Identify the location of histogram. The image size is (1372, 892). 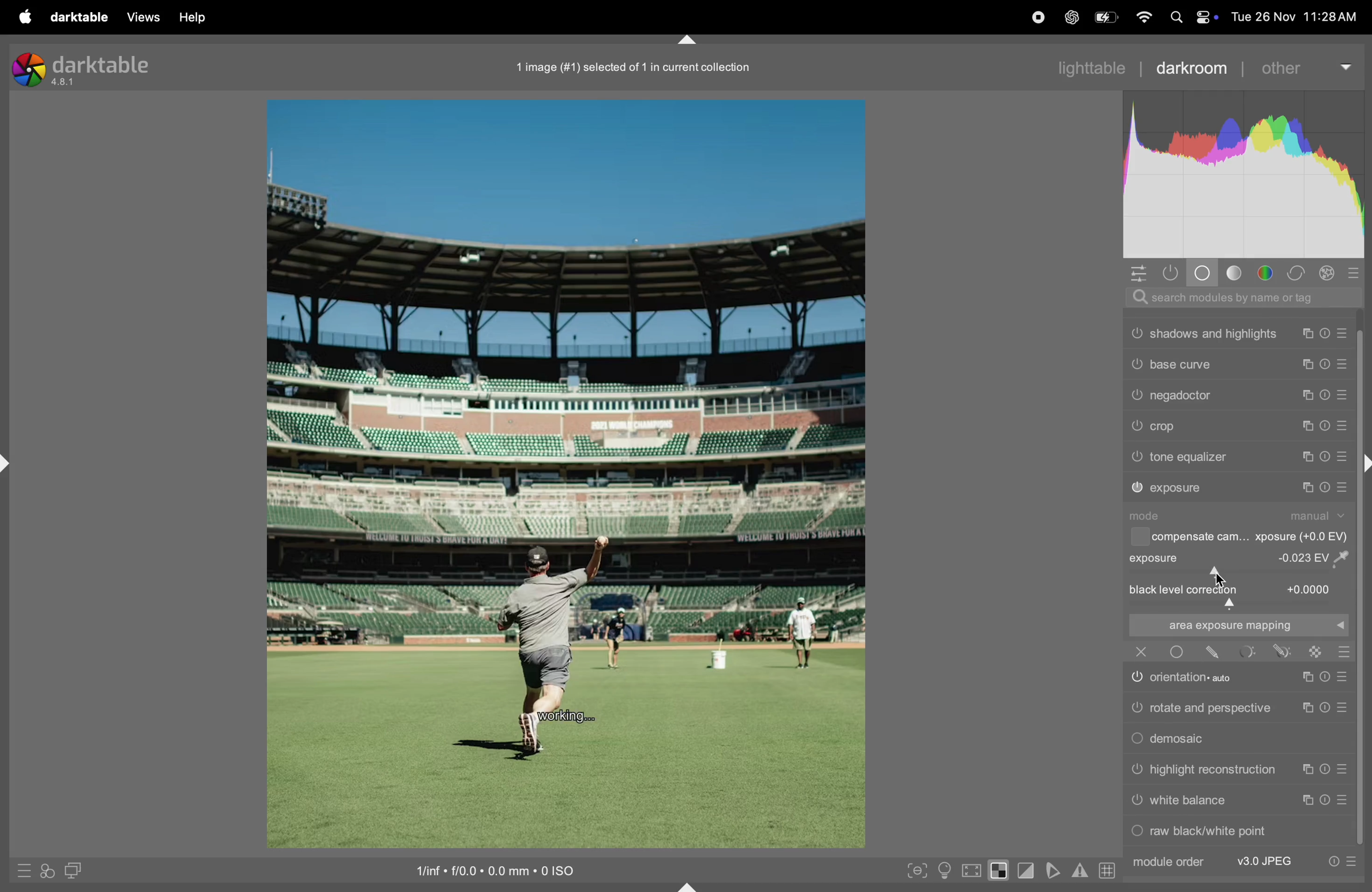
(1245, 174).